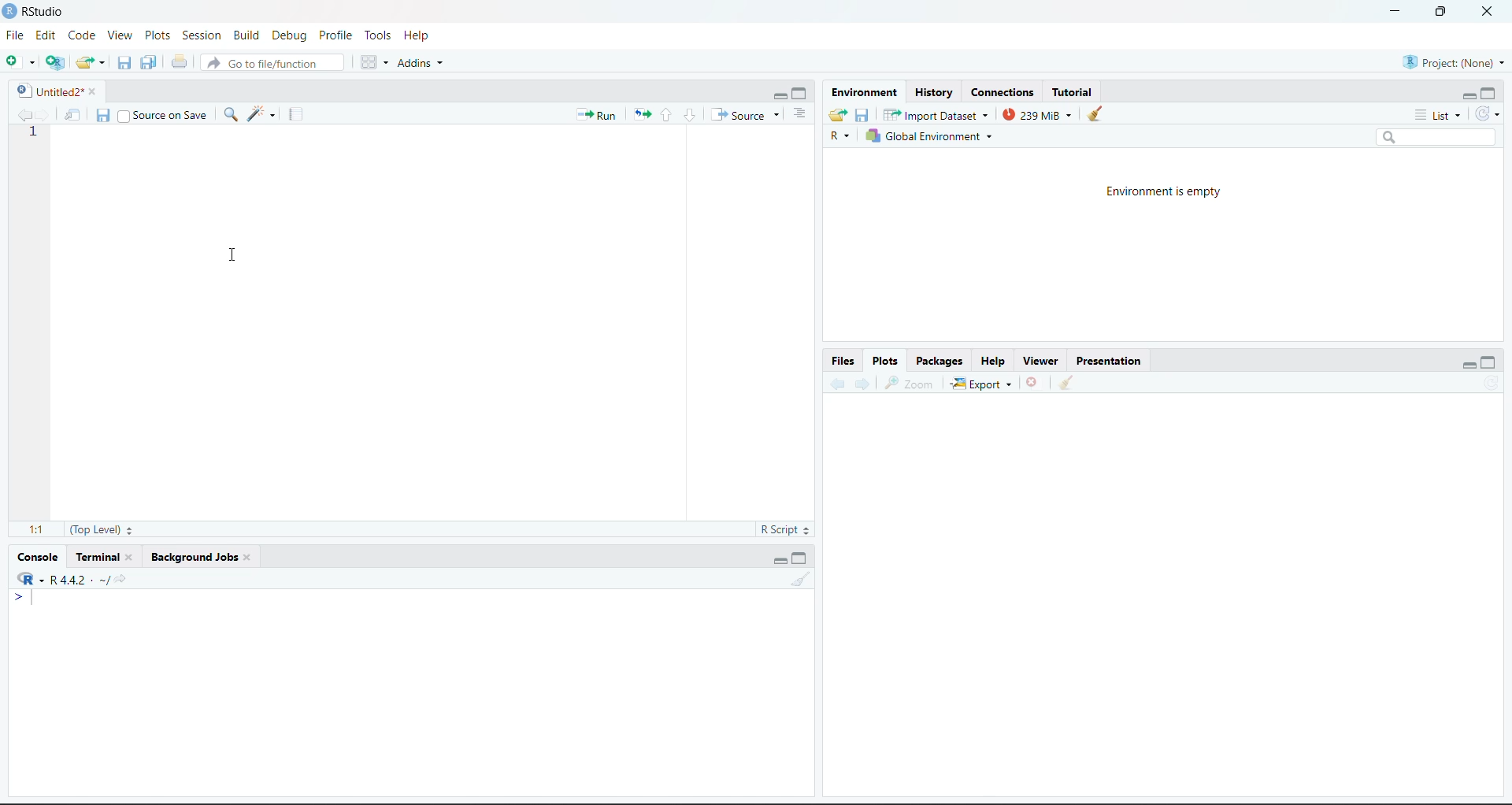  Describe the element at coordinates (149, 62) in the screenshot. I see `Save all open documents (Ctrl + Alt + S)` at that location.